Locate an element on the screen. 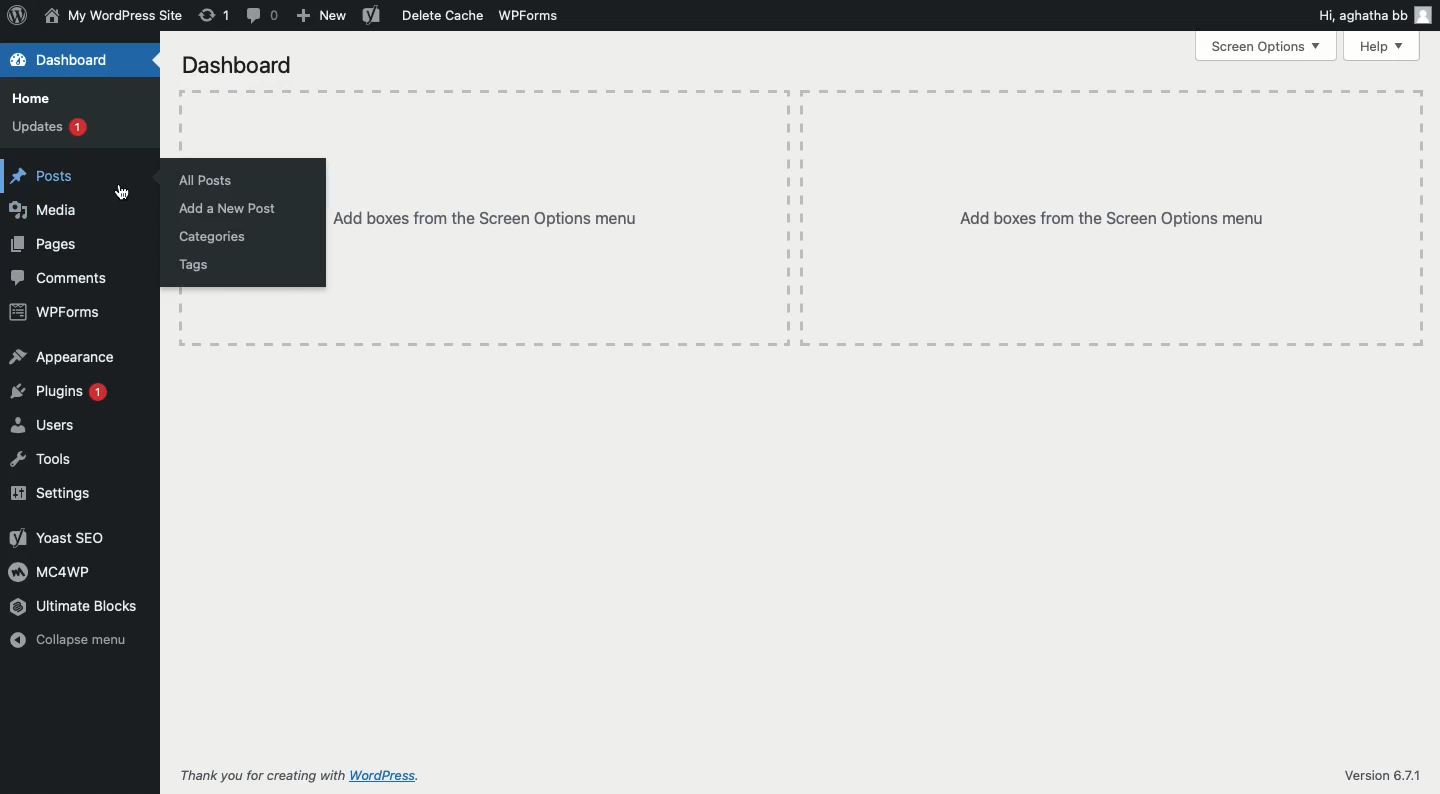 The image size is (1440, 794). Comment is located at coordinates (264, 14).